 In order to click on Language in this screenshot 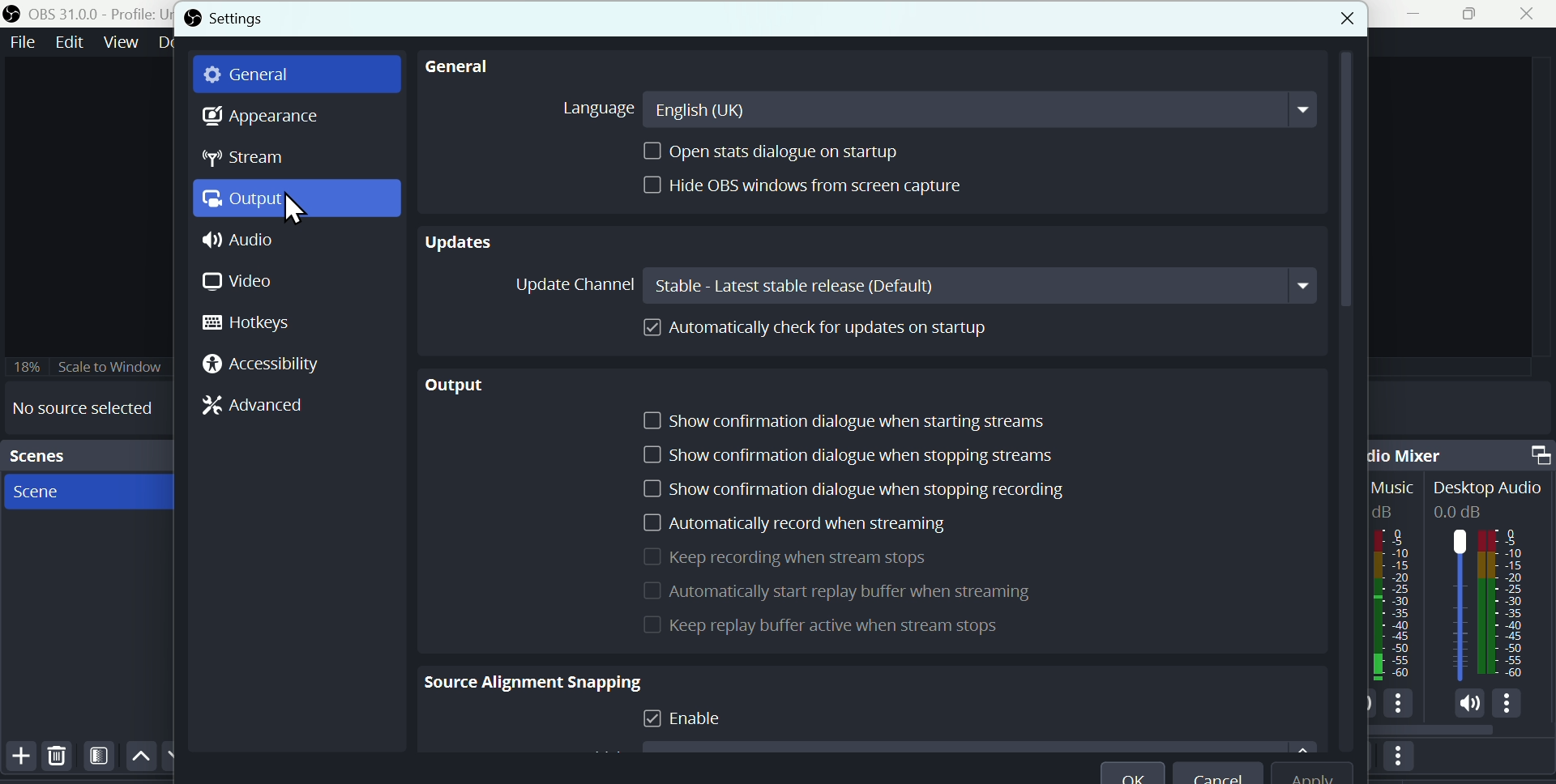, I will do `click(934, 108)`.